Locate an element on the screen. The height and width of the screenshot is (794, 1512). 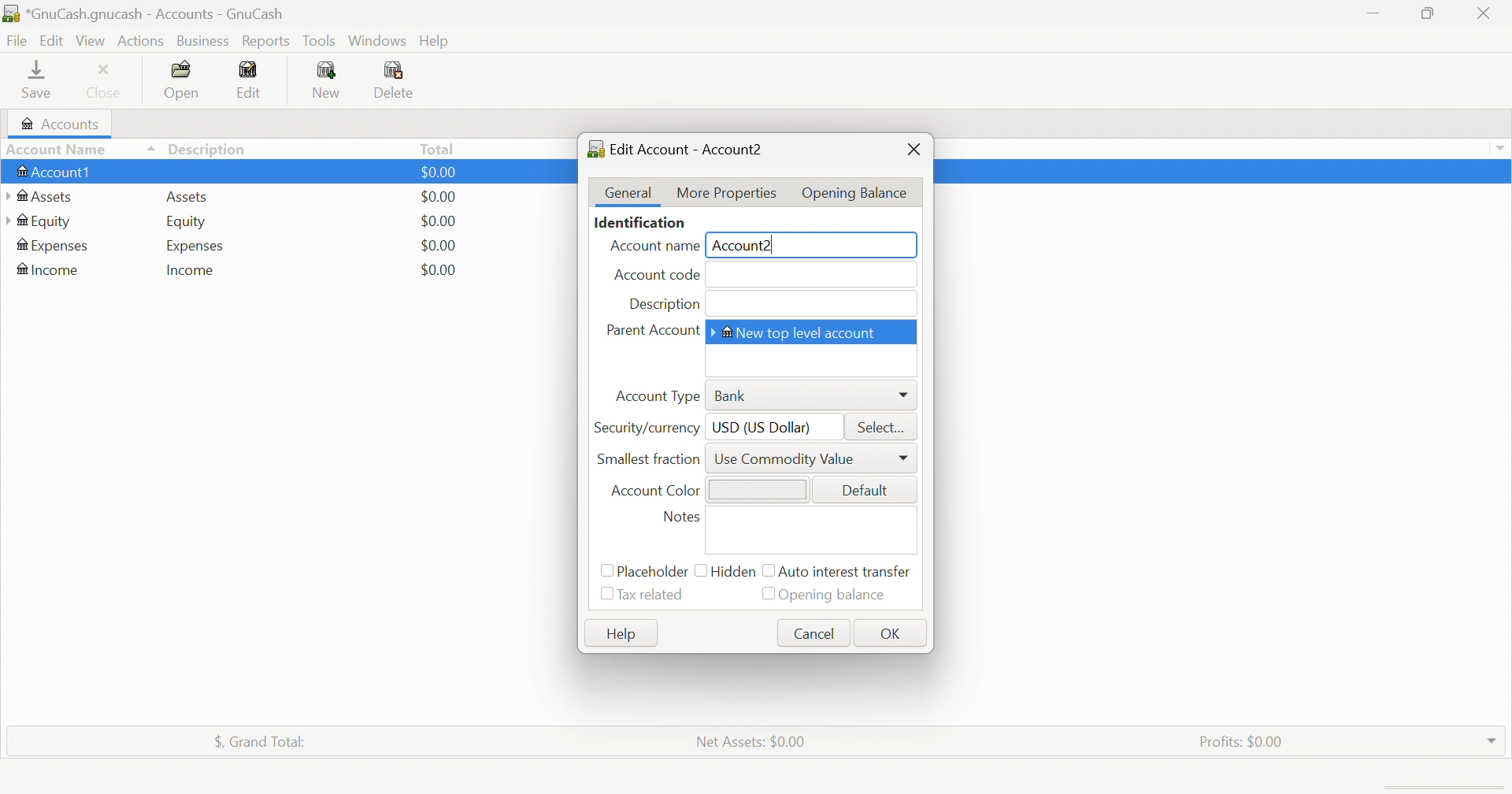
Close is located at coordinates (1481, 13).